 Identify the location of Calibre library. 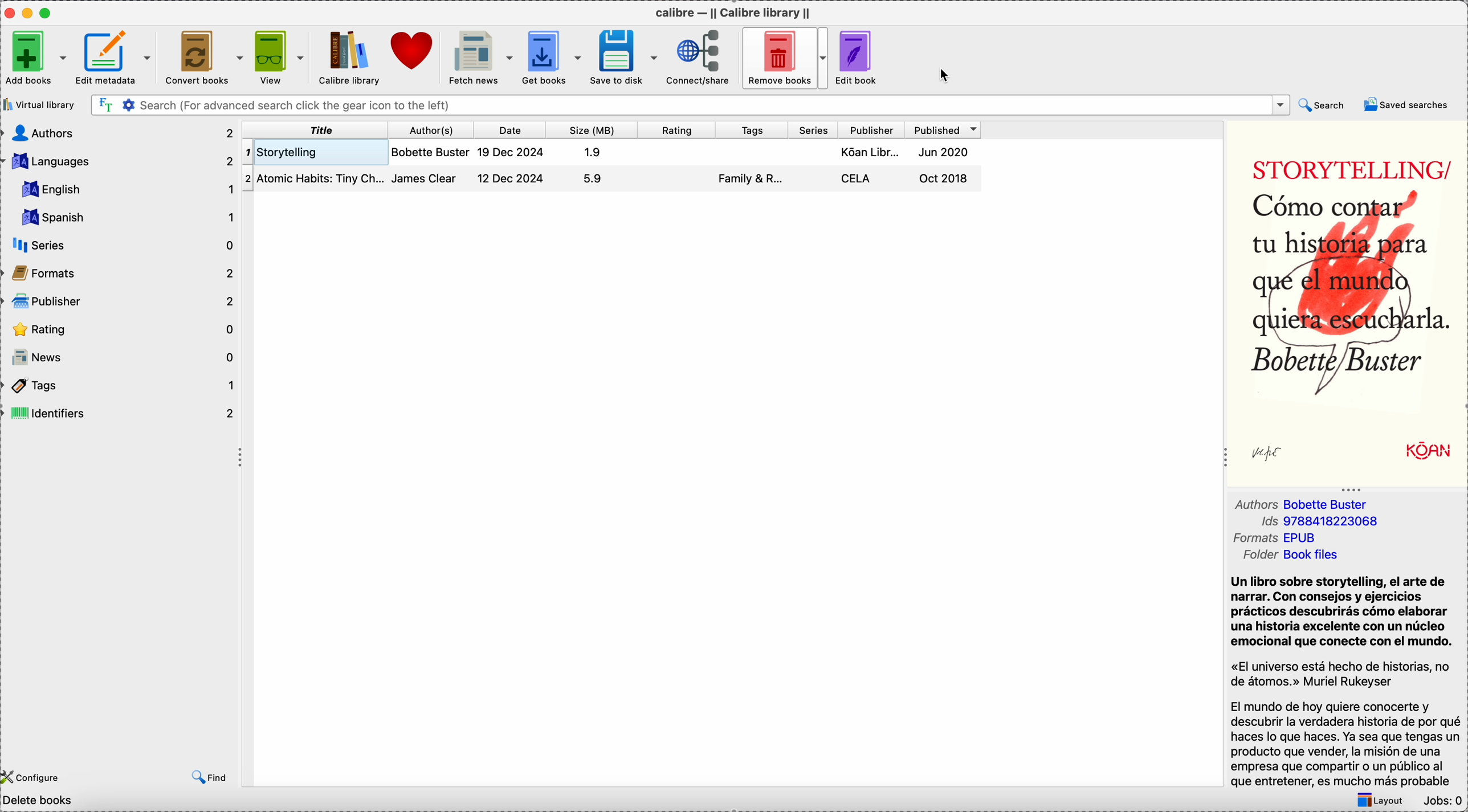
(349, 58).